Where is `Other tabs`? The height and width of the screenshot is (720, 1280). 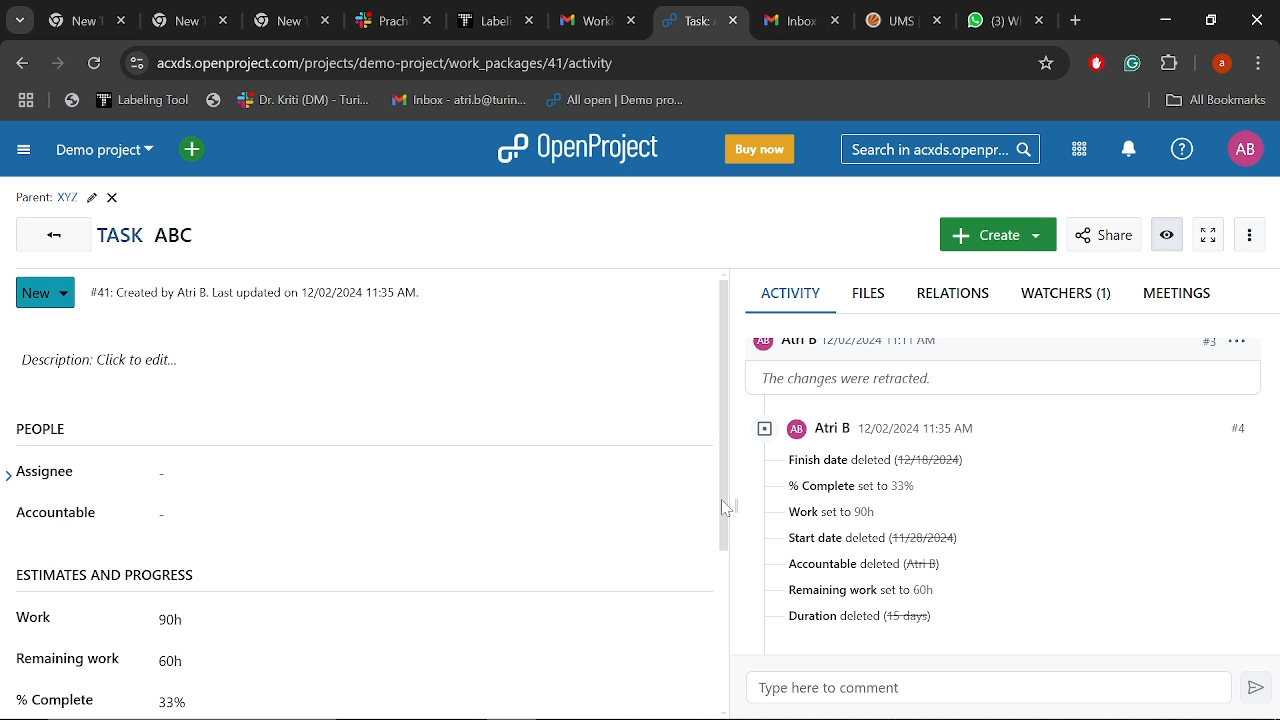 Other tabs is located at coordinates (905, 23).